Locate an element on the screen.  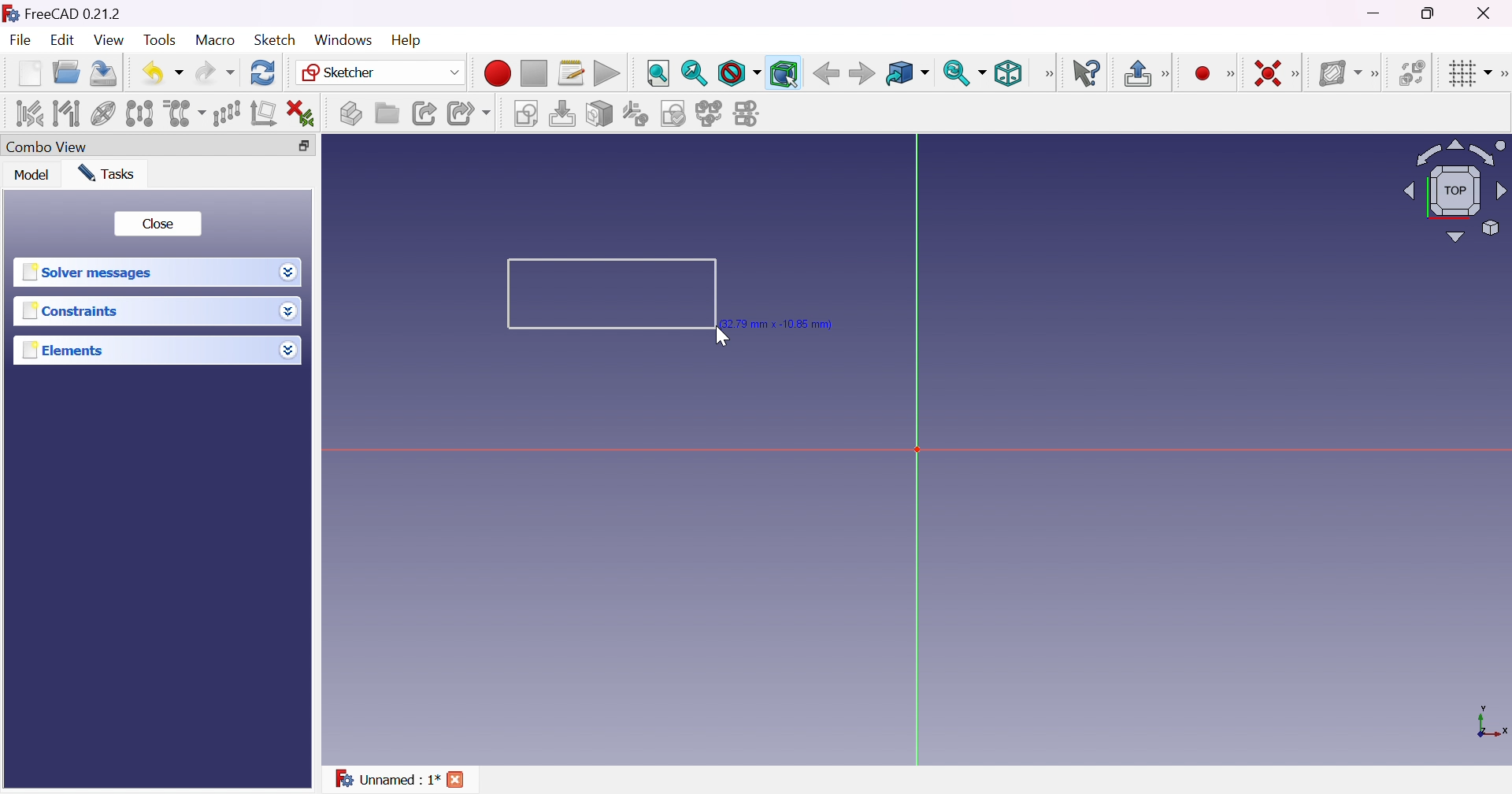
File is located at coordinates (20, 39).